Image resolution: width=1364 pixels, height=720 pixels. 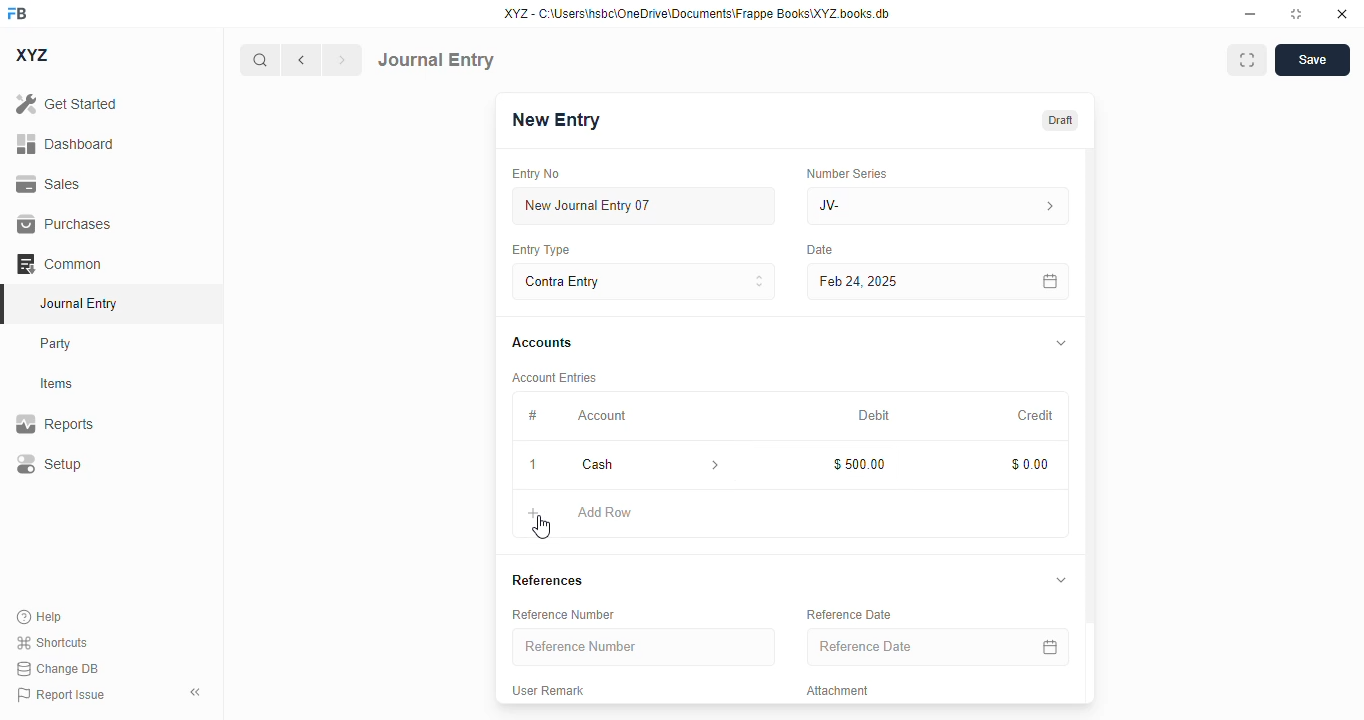 I want to click on sales, so click(x=48, y=184).